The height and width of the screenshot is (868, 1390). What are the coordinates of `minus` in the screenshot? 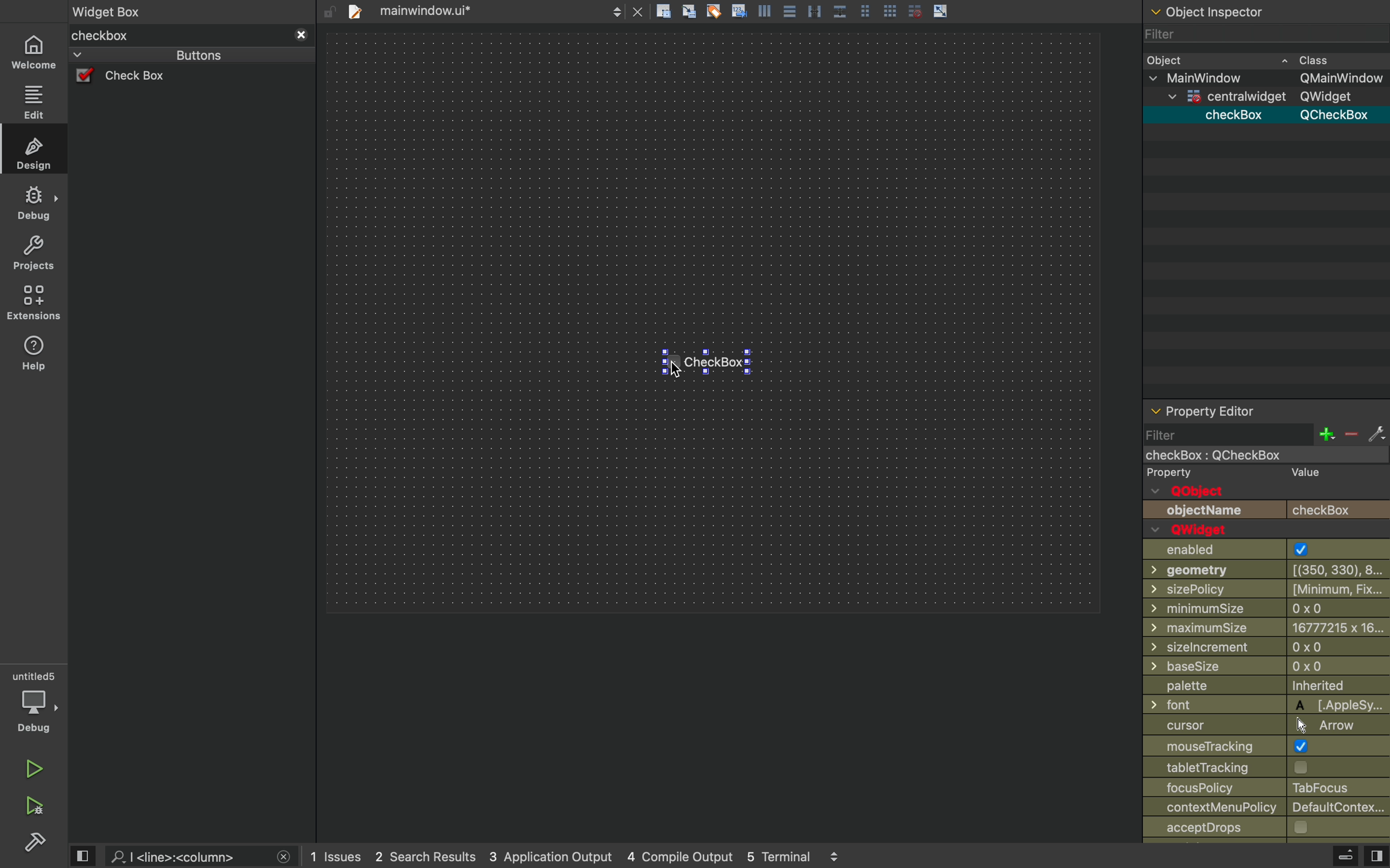 It's located at (1350, 435).